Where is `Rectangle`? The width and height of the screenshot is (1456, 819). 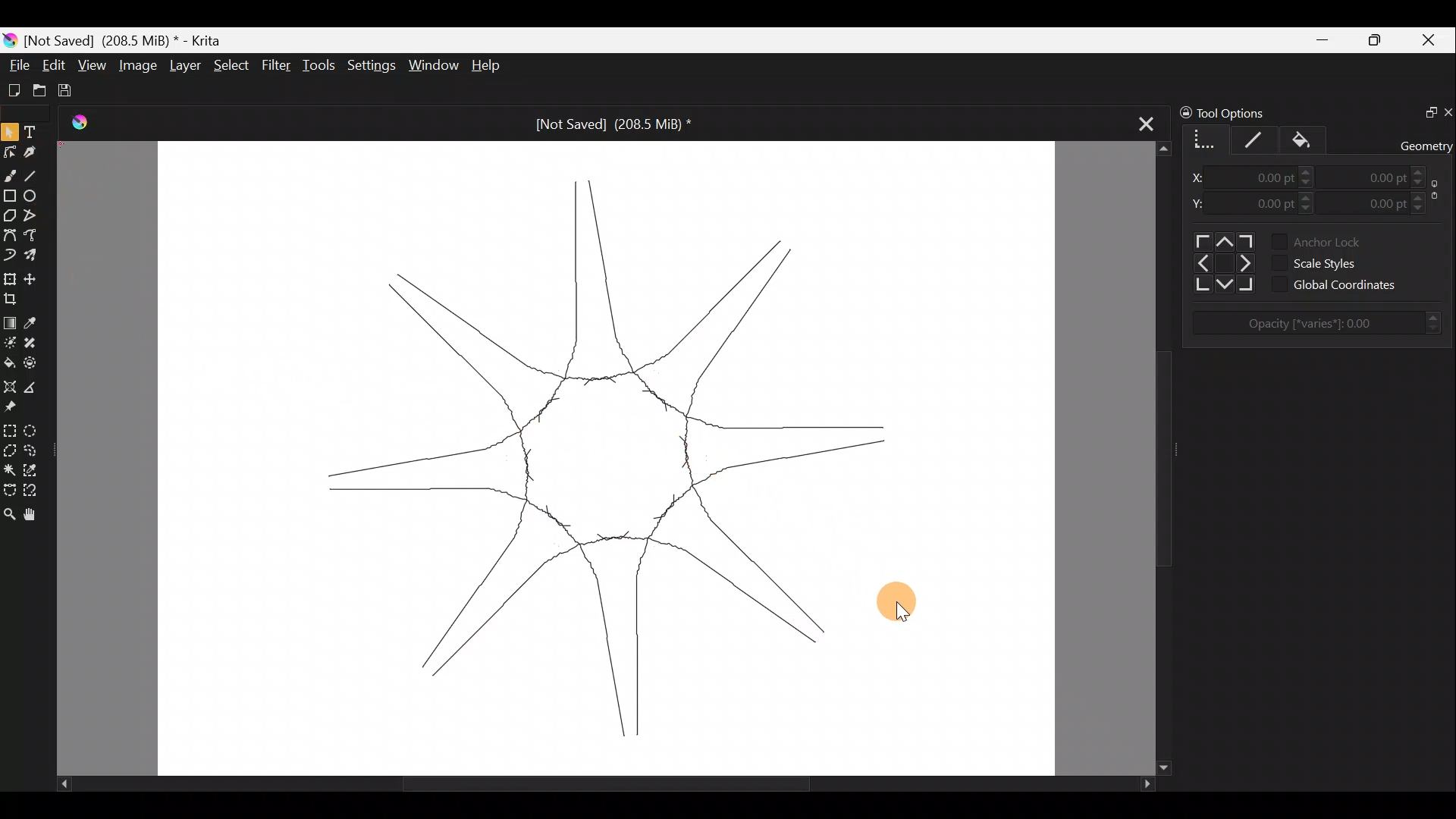
Rectangle is located at coordinates (9, 196).